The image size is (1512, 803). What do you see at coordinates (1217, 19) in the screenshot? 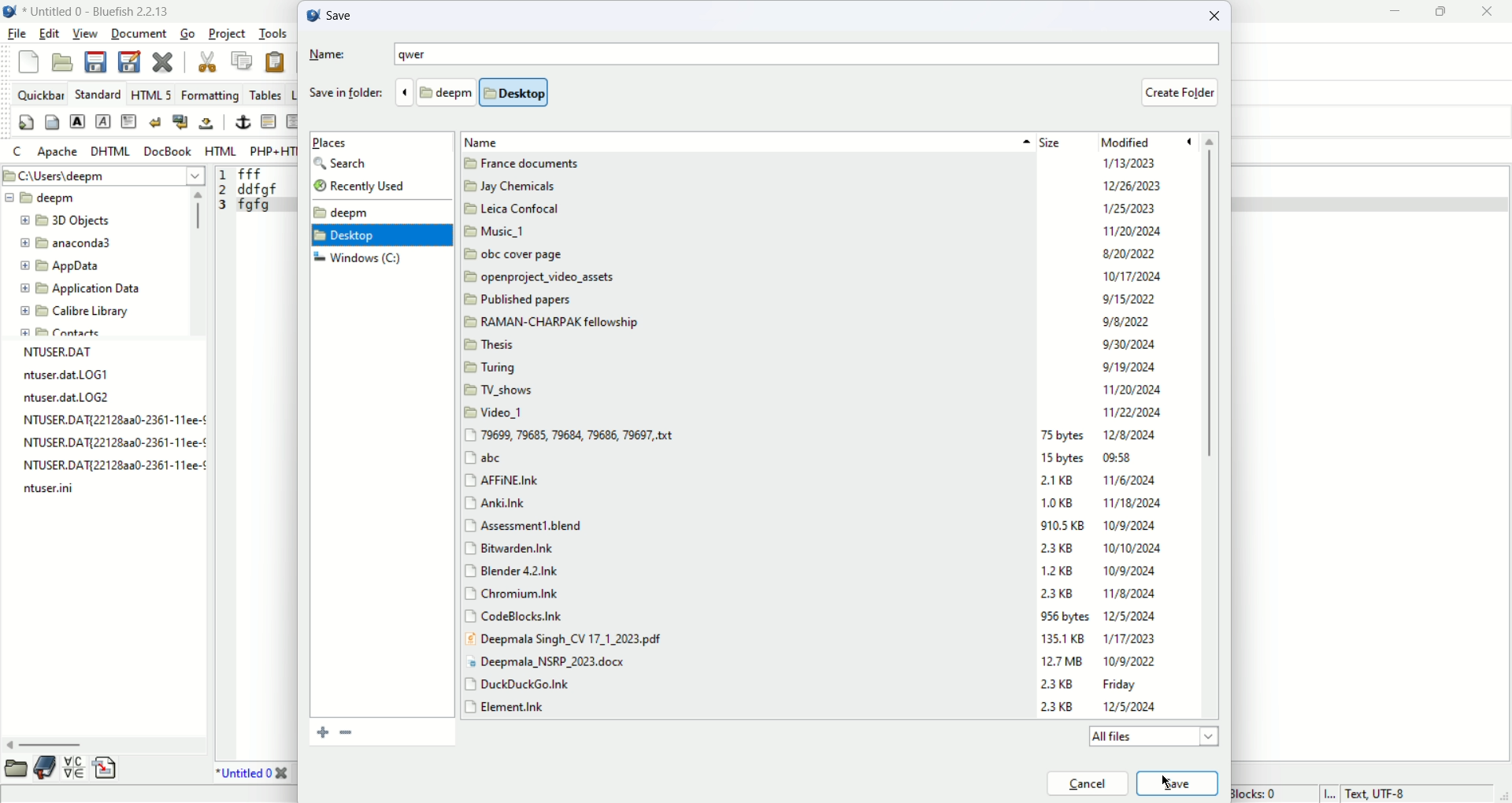
I see `close` at bounding box center [1217, 19].